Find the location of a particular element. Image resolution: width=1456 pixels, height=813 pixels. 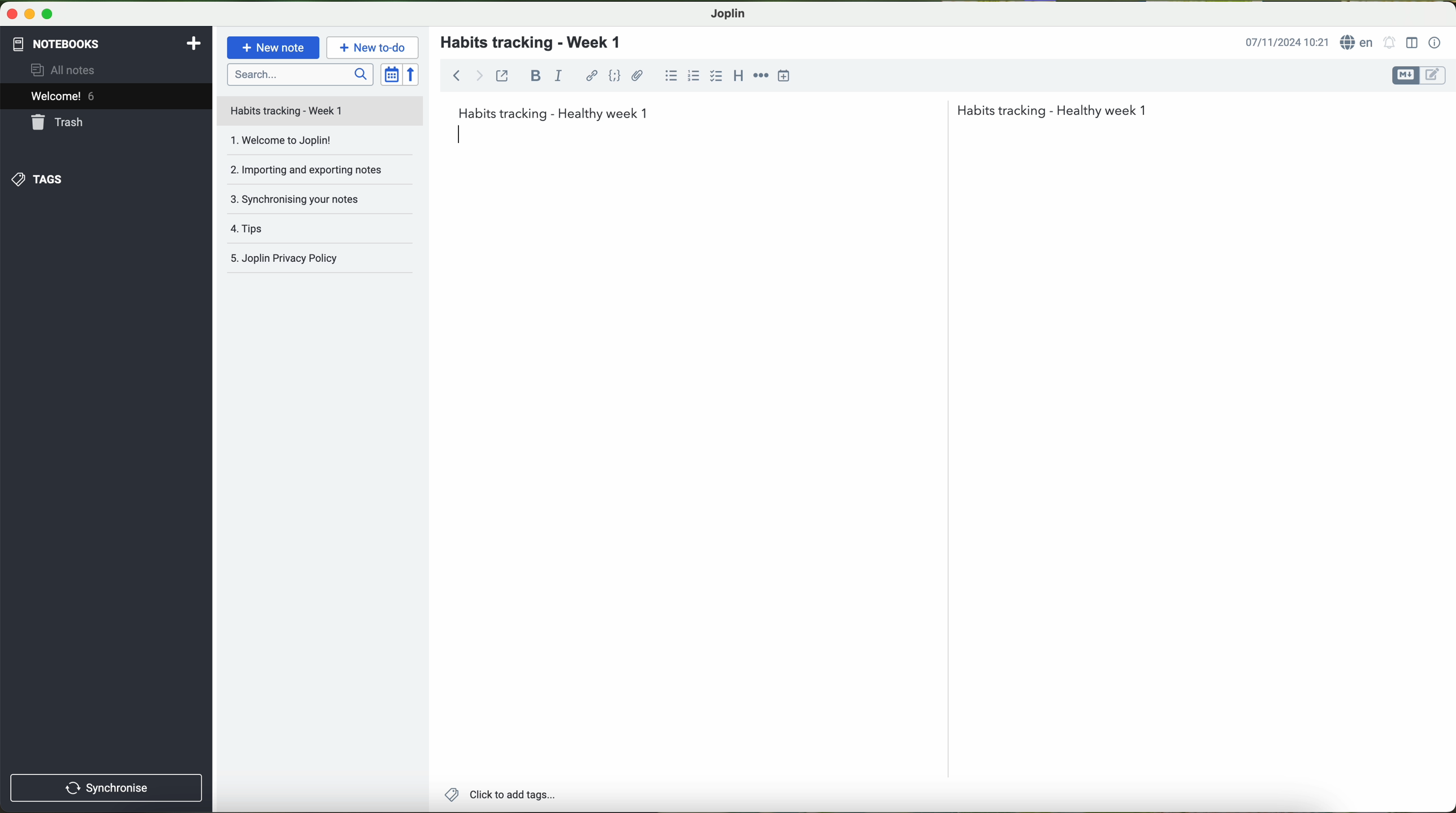

tags is located at coordinates (38, 180).